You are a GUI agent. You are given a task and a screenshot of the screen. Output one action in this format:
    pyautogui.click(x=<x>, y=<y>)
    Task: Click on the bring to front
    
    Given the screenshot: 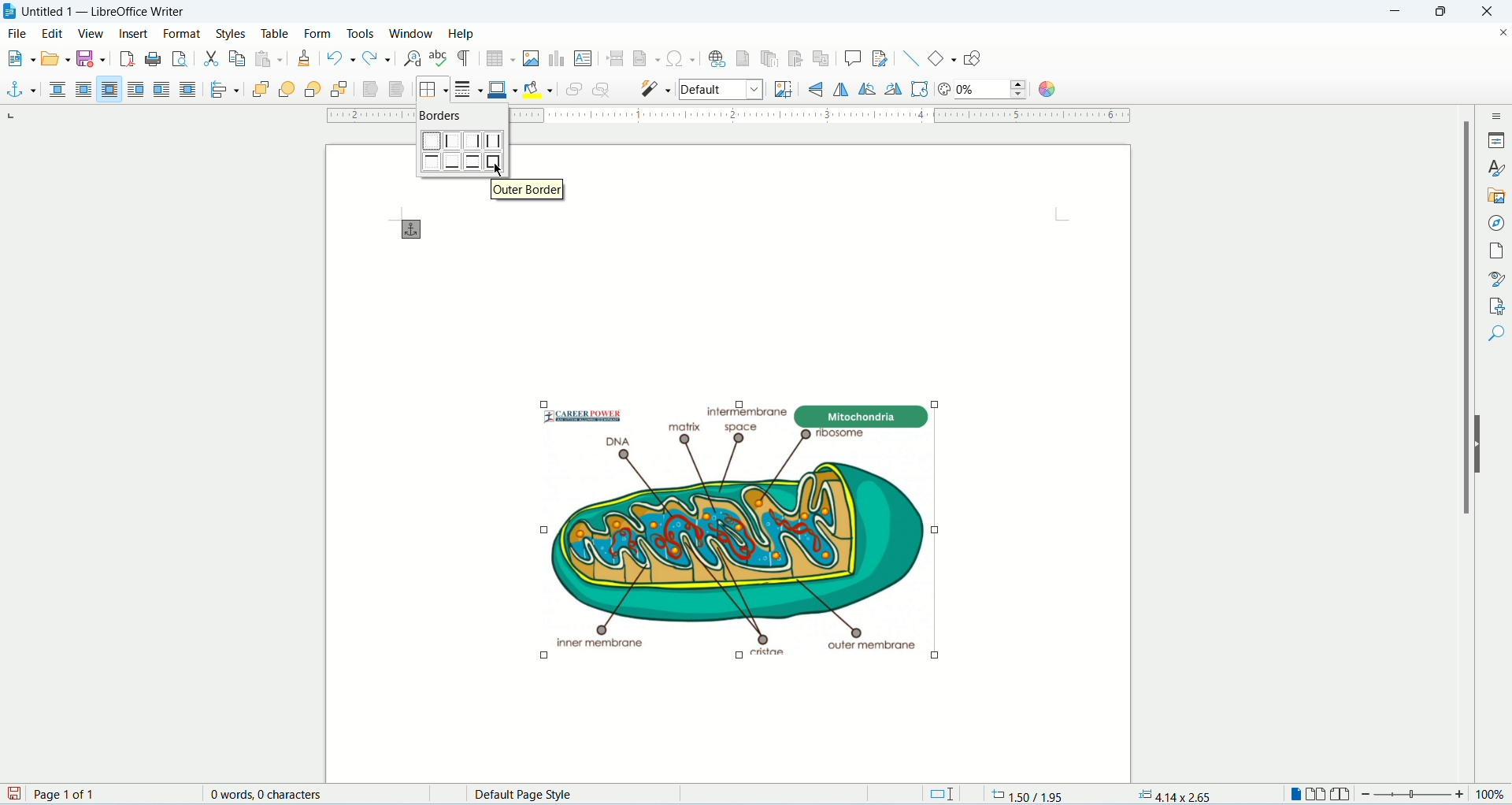 What is the action you would take?
    pyautogui.click(x=259, y=91)
    